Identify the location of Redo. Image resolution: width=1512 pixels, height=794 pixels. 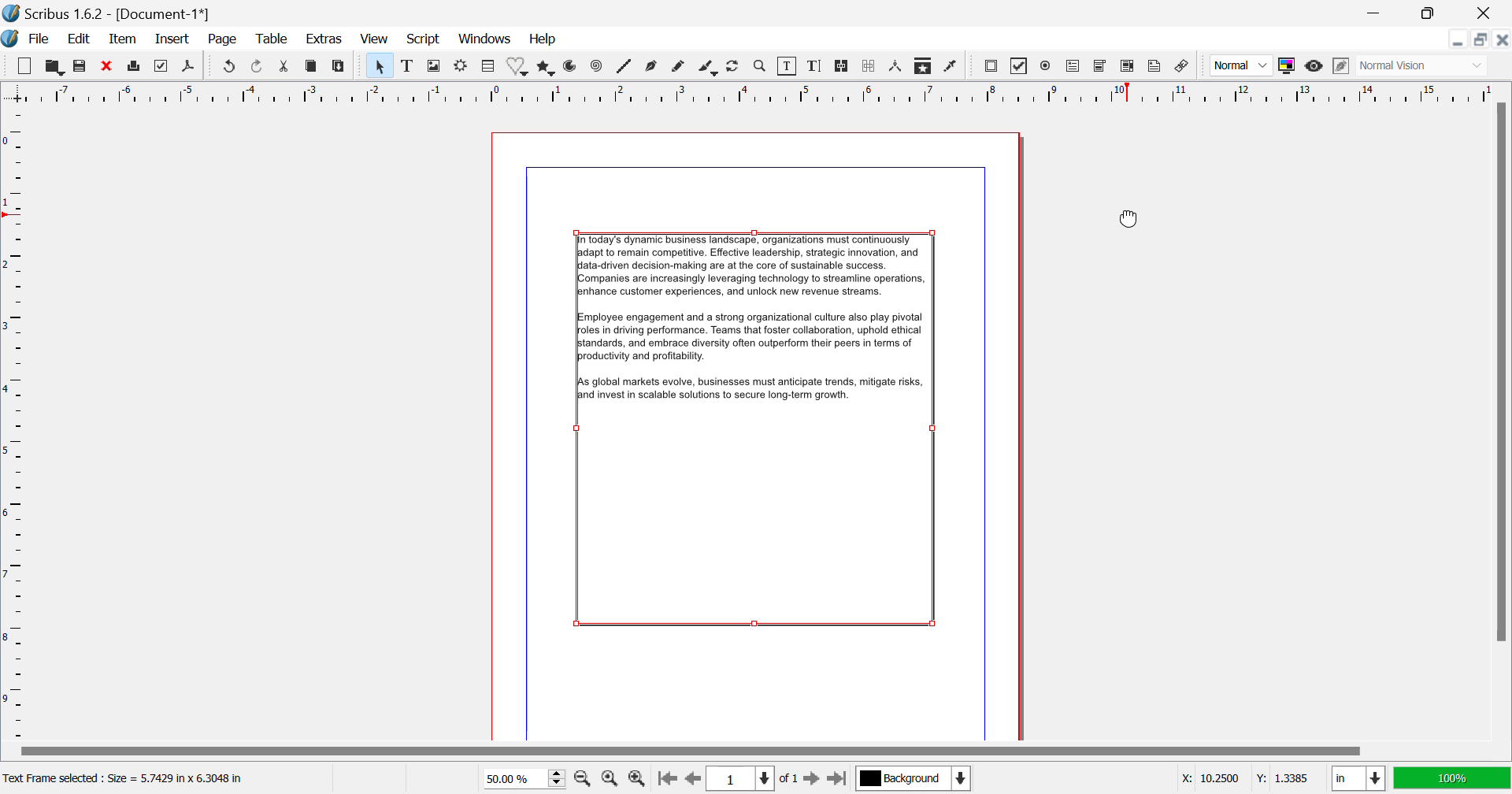
(232, 66).